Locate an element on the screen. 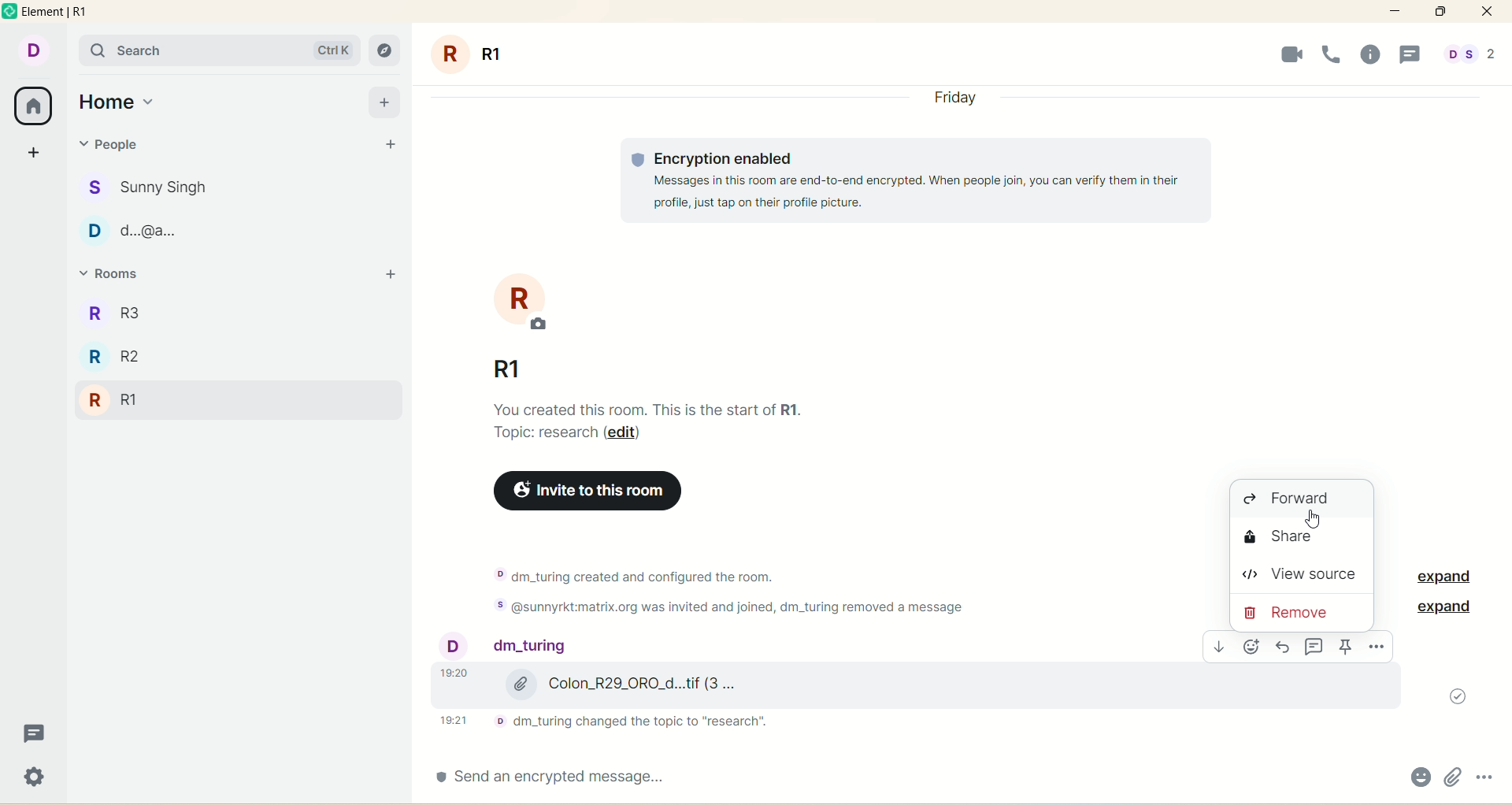 This screenshot has height=805, width=1512. invite to this room is located at coordinates (585, 492).